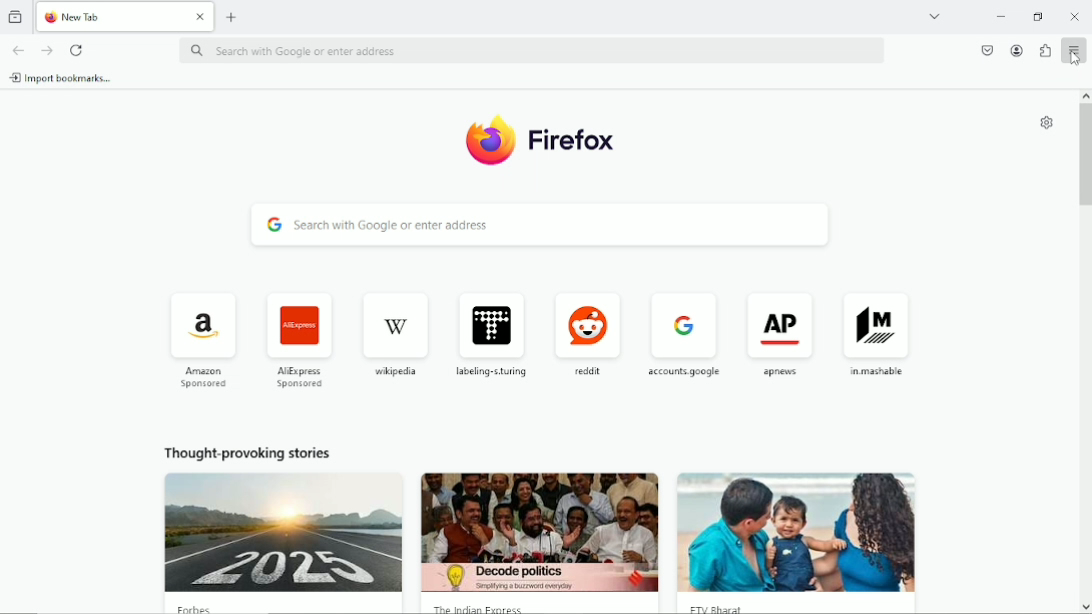 Image resolution: width=1092 pixels, height=614 pixels. I want to click on account, so click(1014, 51).